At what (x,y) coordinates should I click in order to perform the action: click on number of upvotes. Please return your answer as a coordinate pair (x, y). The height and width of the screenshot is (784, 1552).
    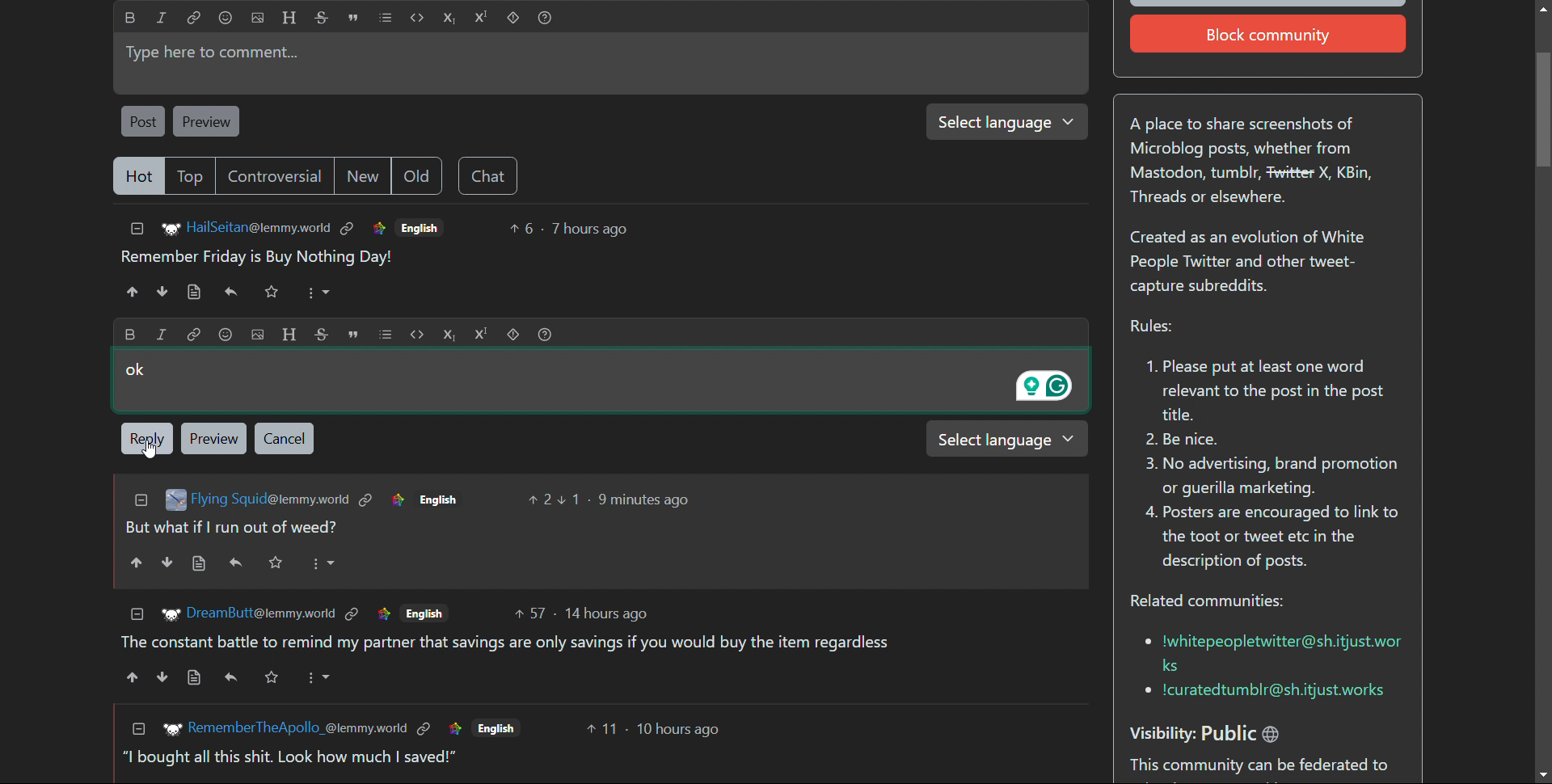
    Looking at the image, I should click on (539, 499).